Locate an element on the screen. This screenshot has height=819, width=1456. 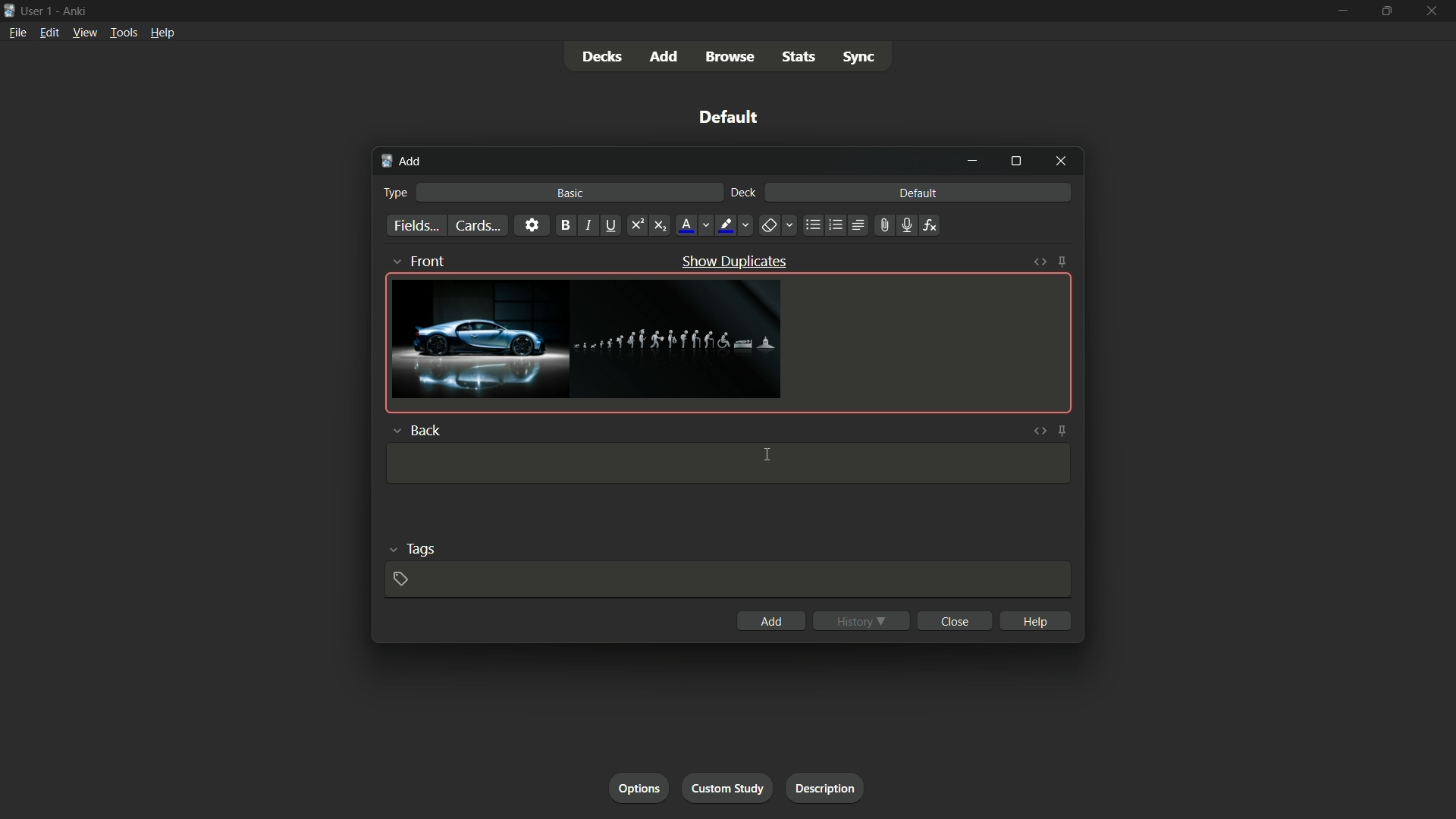
close window is located at coordinates (1062, 162).